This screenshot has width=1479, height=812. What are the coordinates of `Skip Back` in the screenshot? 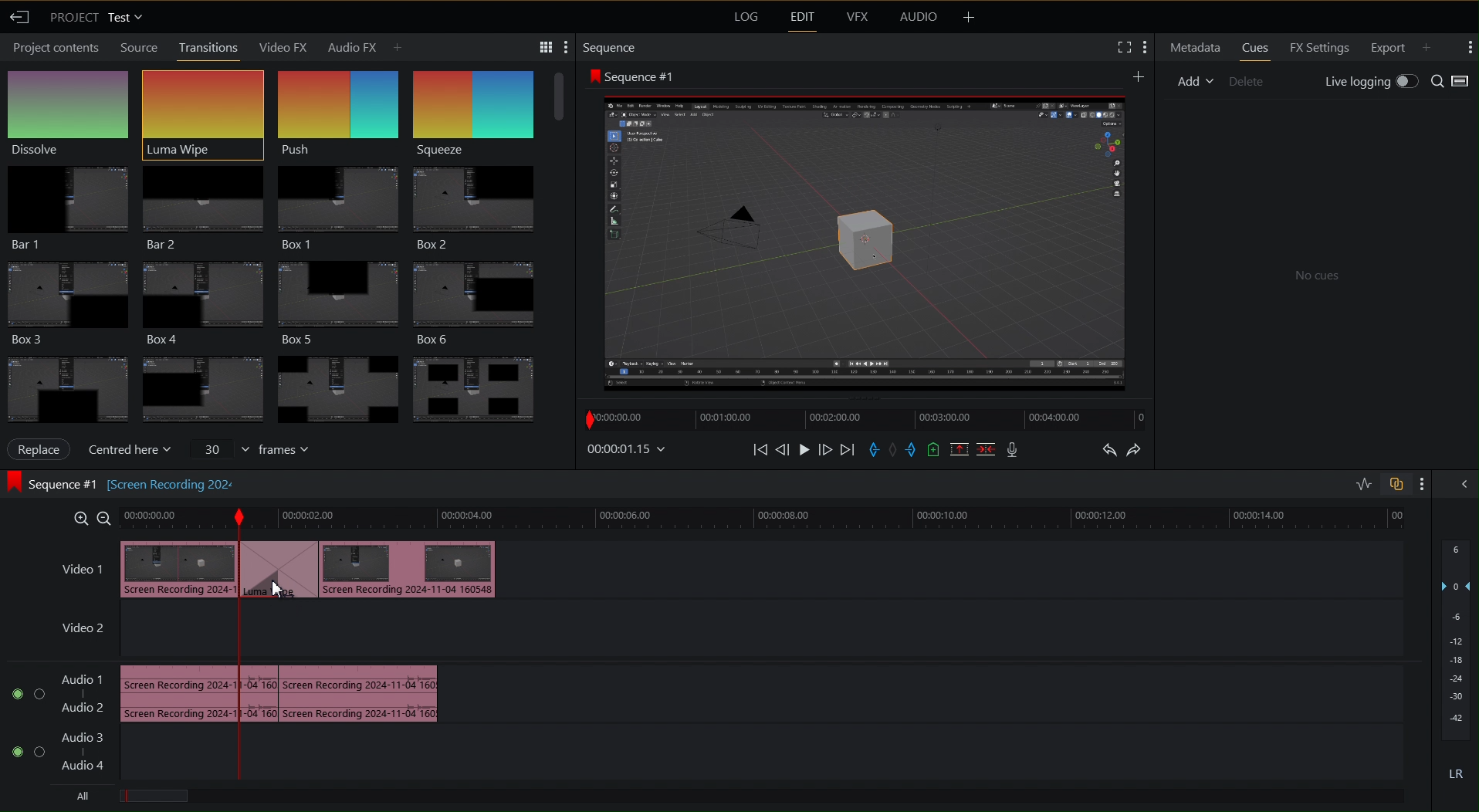 It's located at (760, 450).